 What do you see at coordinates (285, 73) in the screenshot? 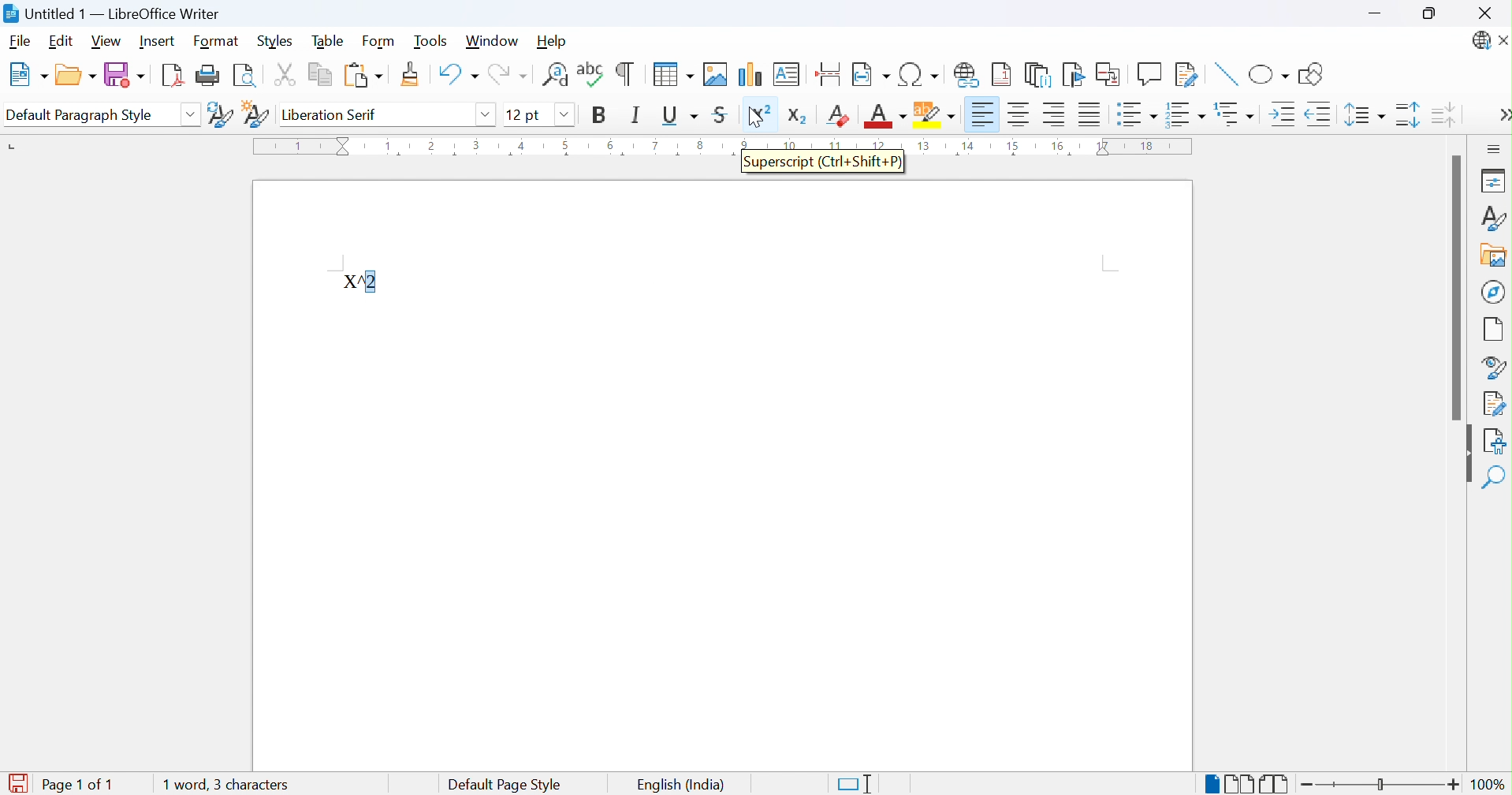
I see `Cut` at bounding box center [285, 73].